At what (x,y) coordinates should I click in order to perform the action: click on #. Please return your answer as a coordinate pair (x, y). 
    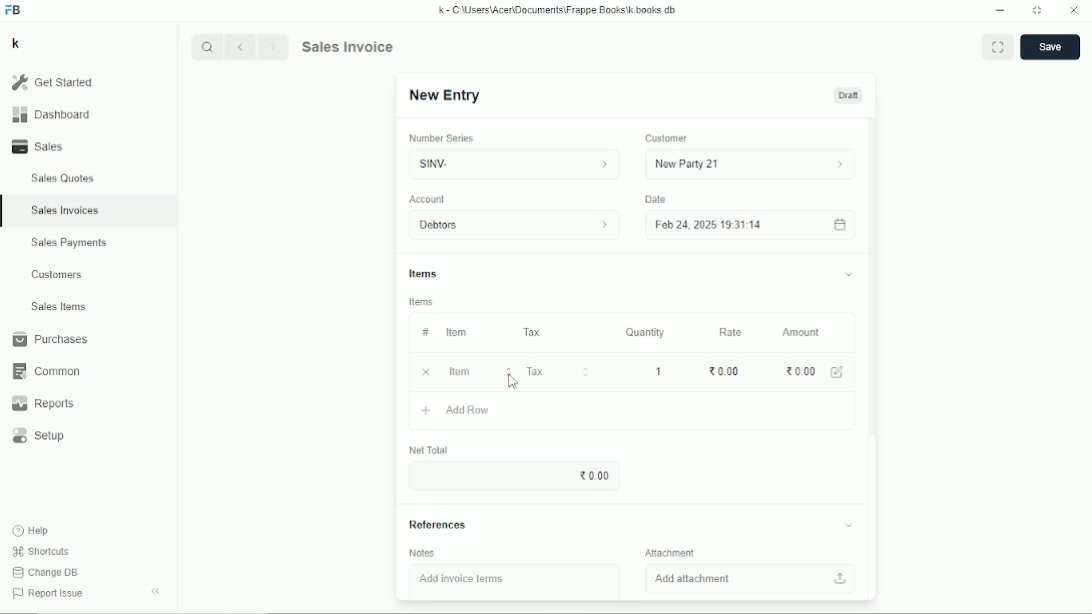
    Looking at the image, I should click on (424, 332).